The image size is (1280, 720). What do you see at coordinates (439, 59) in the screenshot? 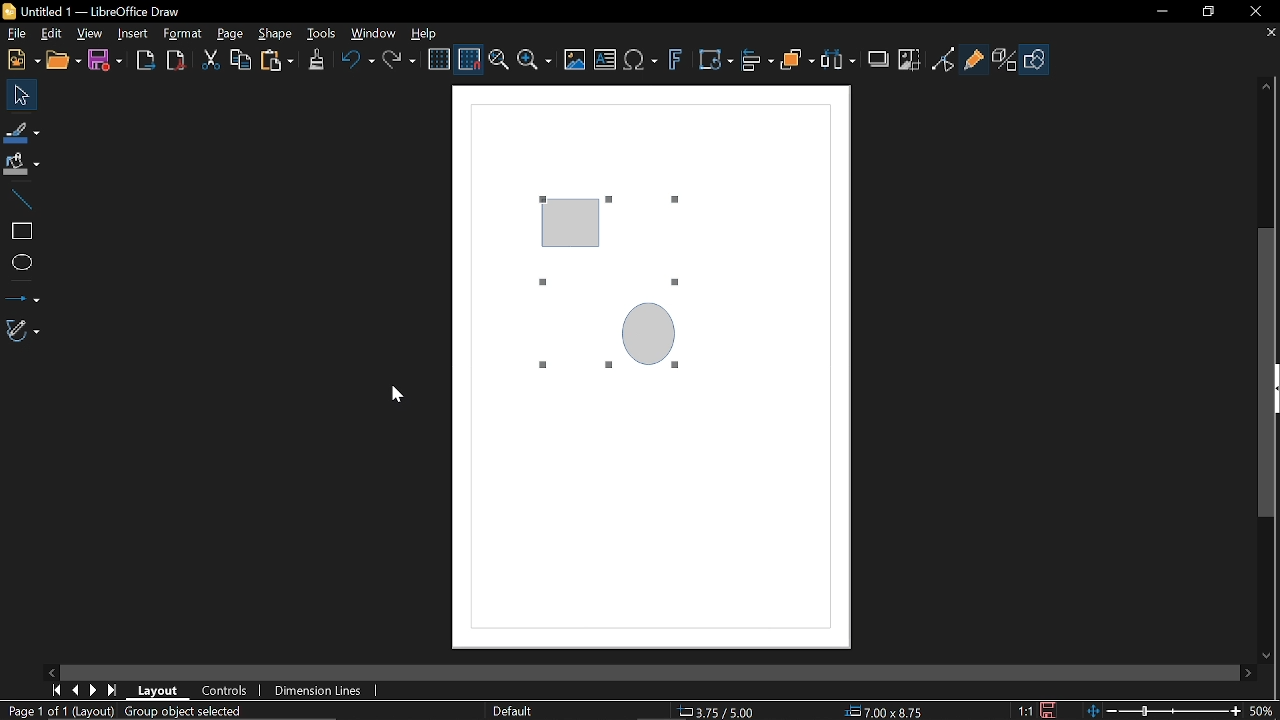
I see `Display grid` at bounding box center [439, 59].